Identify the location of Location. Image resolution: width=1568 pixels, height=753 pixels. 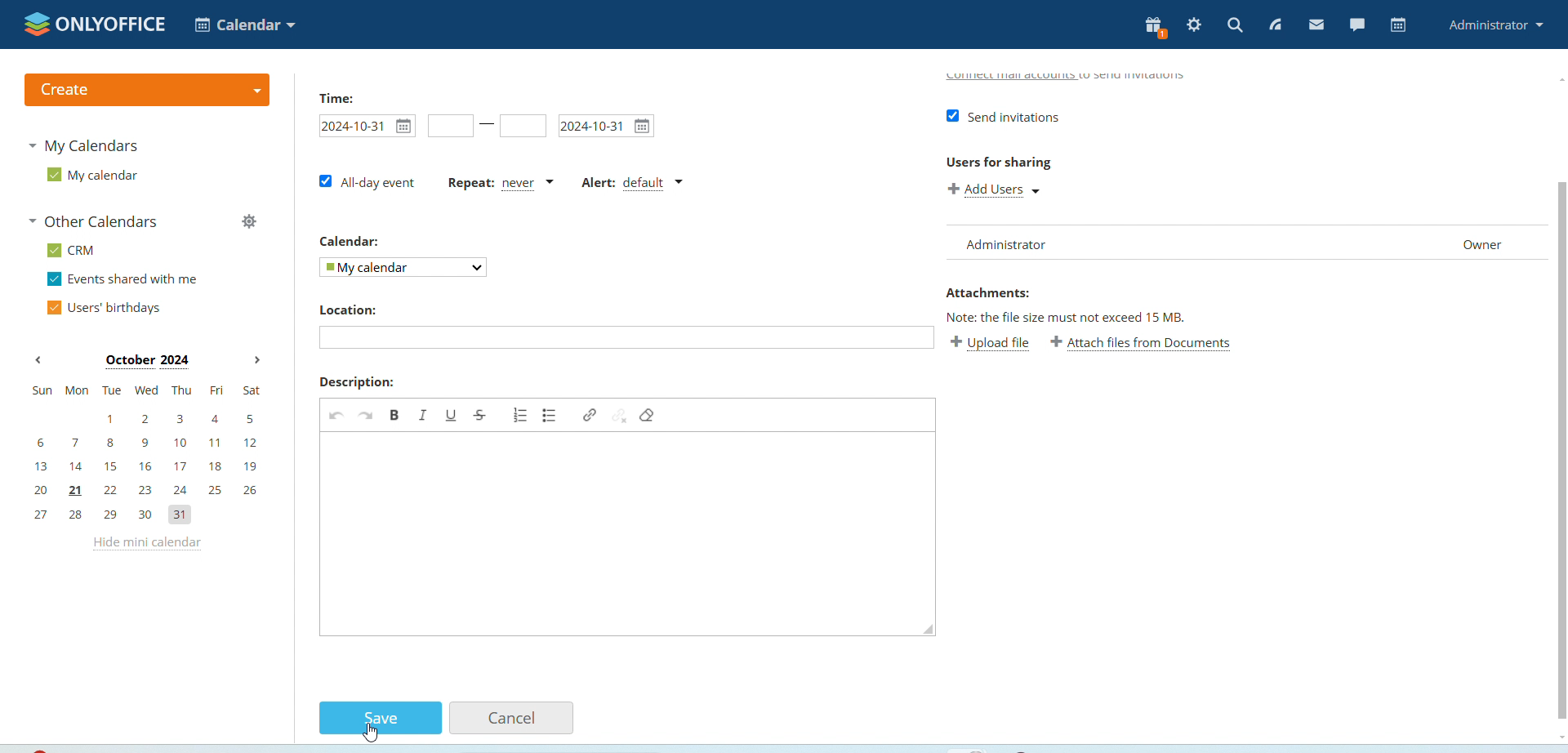
(347, 310).